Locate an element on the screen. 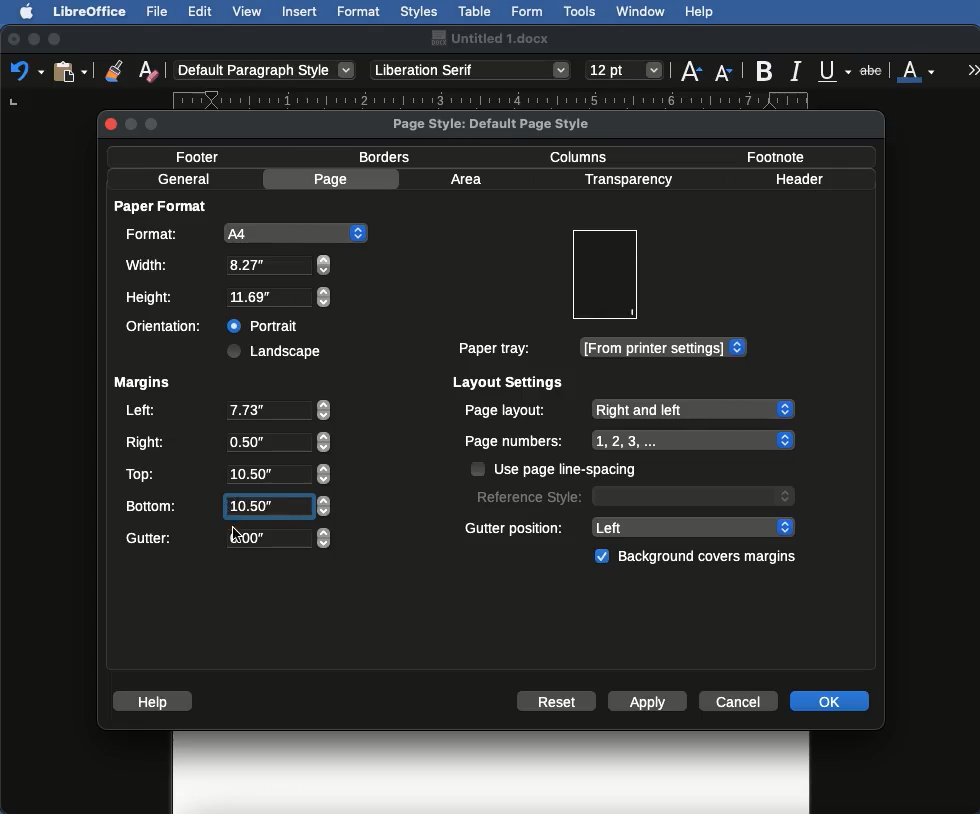 This screenshot has height=814, width=980. Reference style is located at coordinates (633, 495).